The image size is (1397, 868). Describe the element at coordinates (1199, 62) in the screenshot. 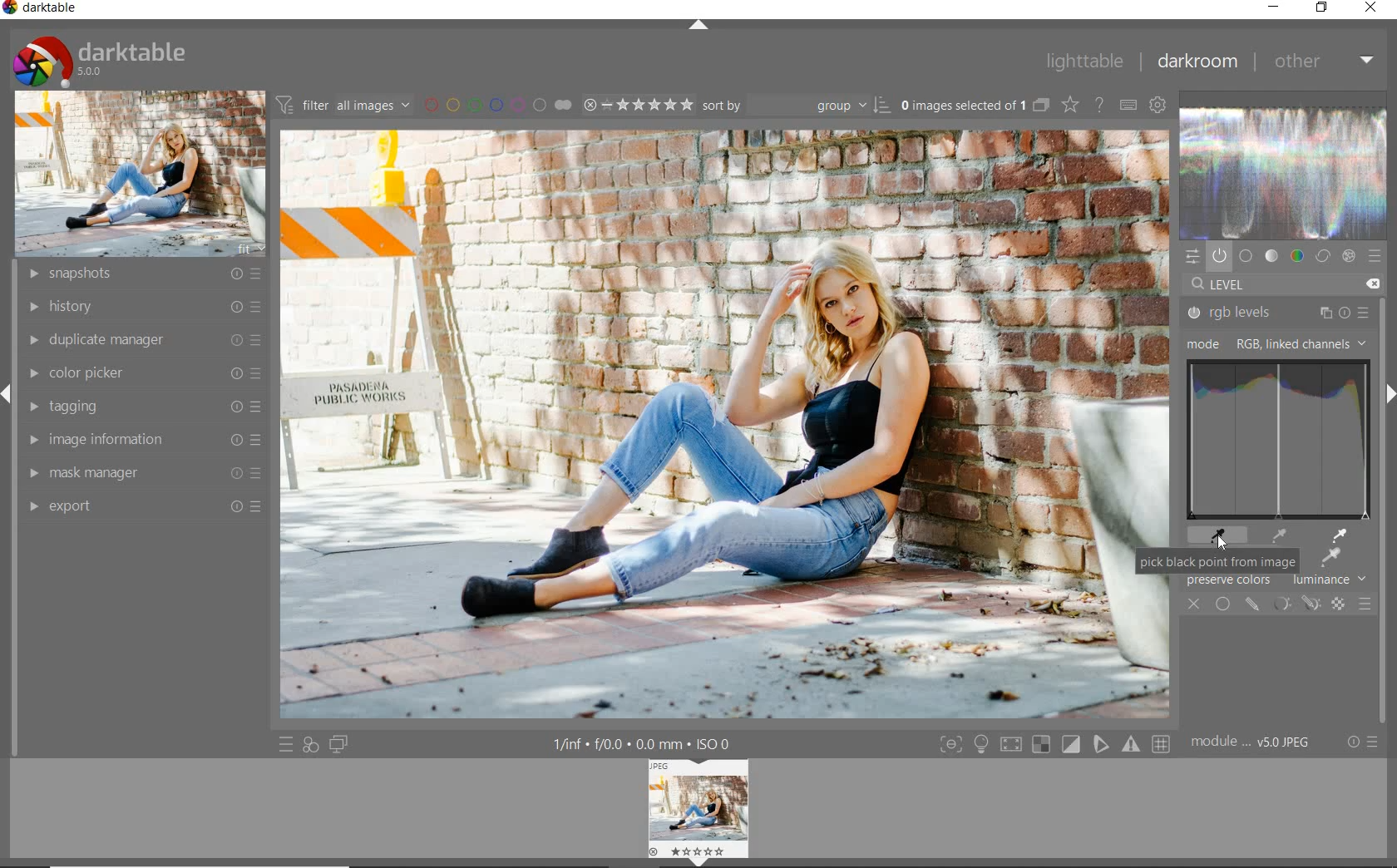

I see `darkroom` at that location.